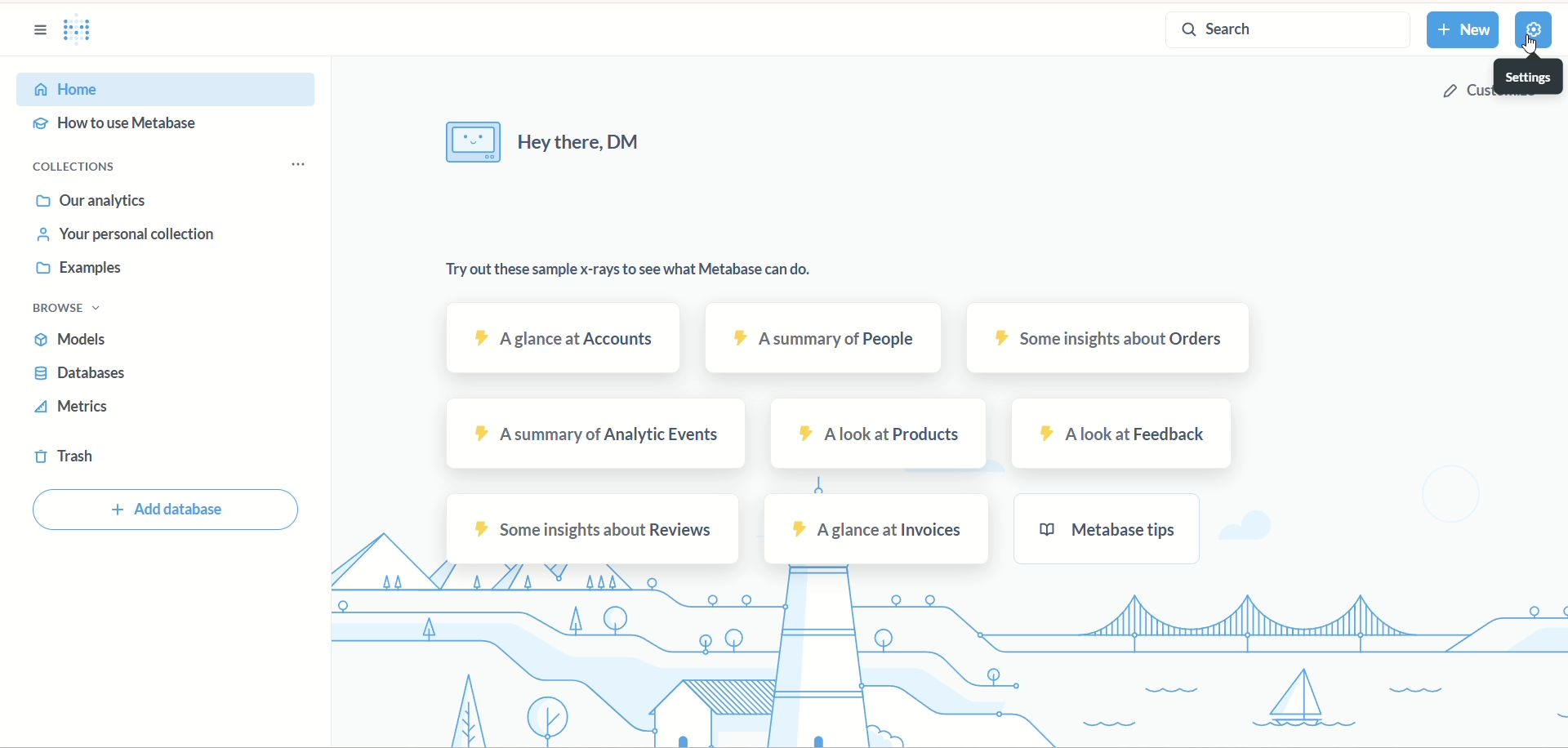 The width and height of the screenshot is (1568, 748). I want to click on hoe to use metabase, so click(123, 127).